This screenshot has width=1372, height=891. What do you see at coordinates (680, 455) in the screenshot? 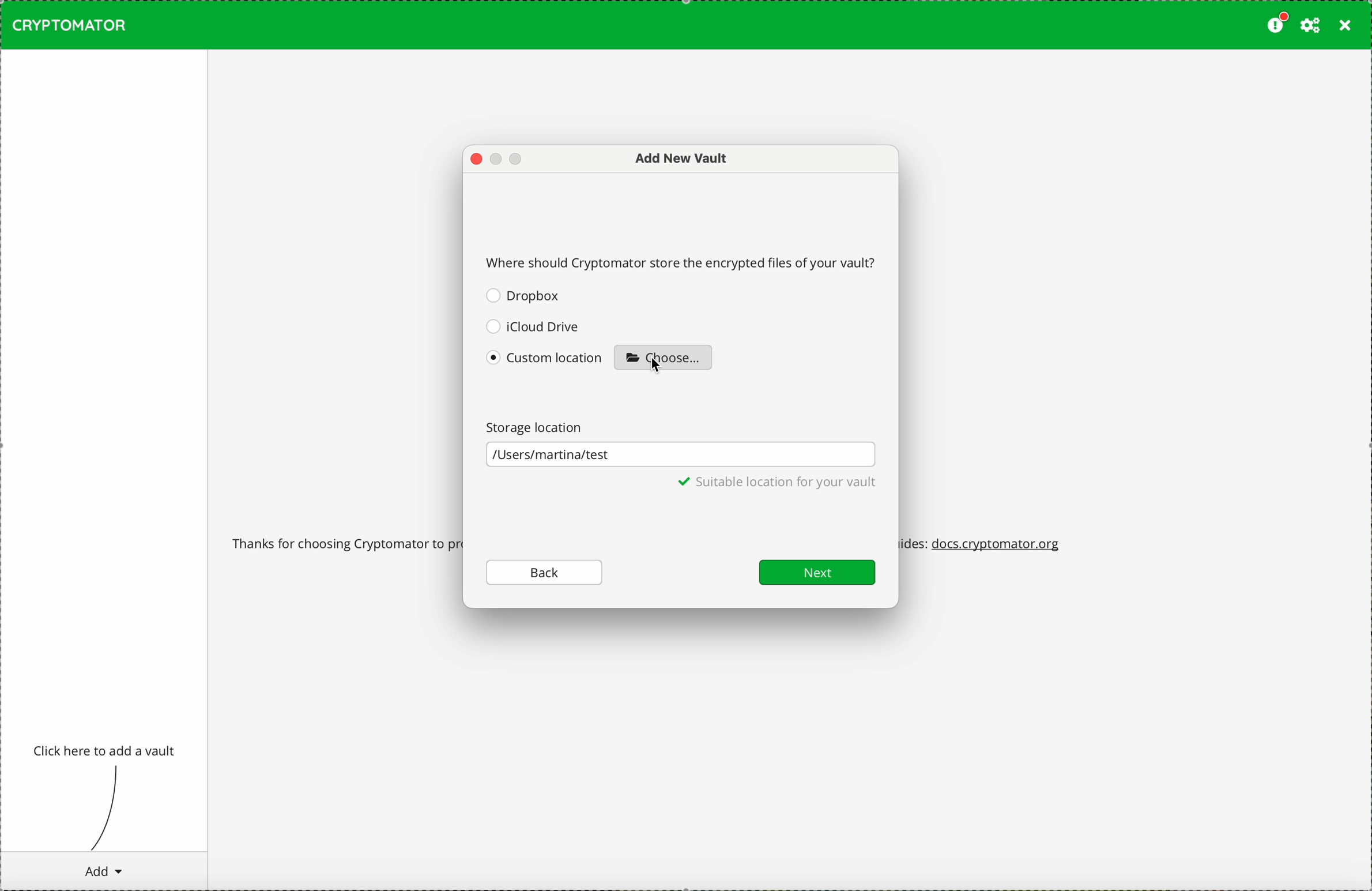
I see `storage location folder` at bounding box center [680, 455].